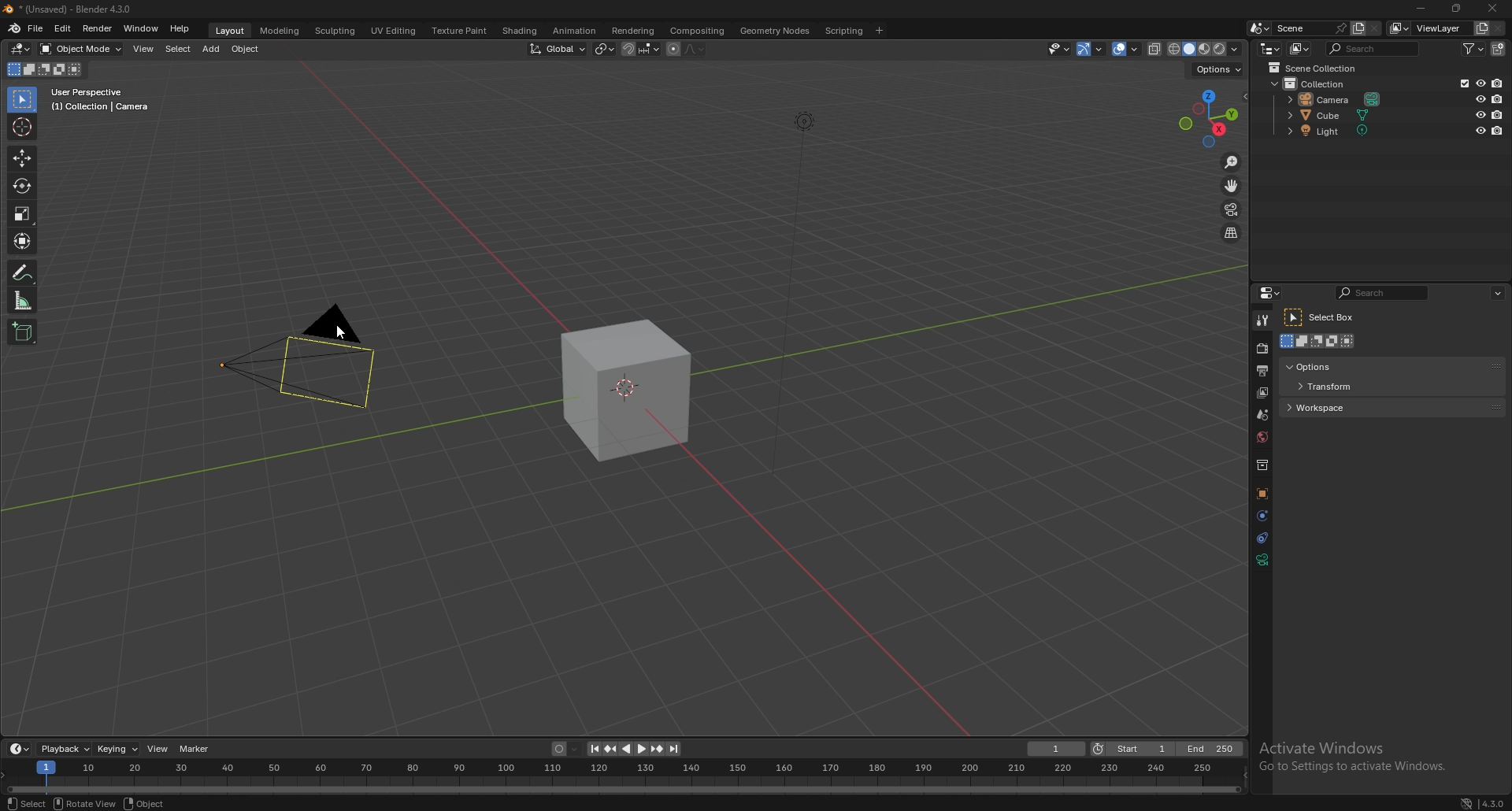 This screenshot has height=811, width=1512. What do you see at coordinates (624, 391) in the screenshot?
I see `cube` at bounding box center [624, 391].